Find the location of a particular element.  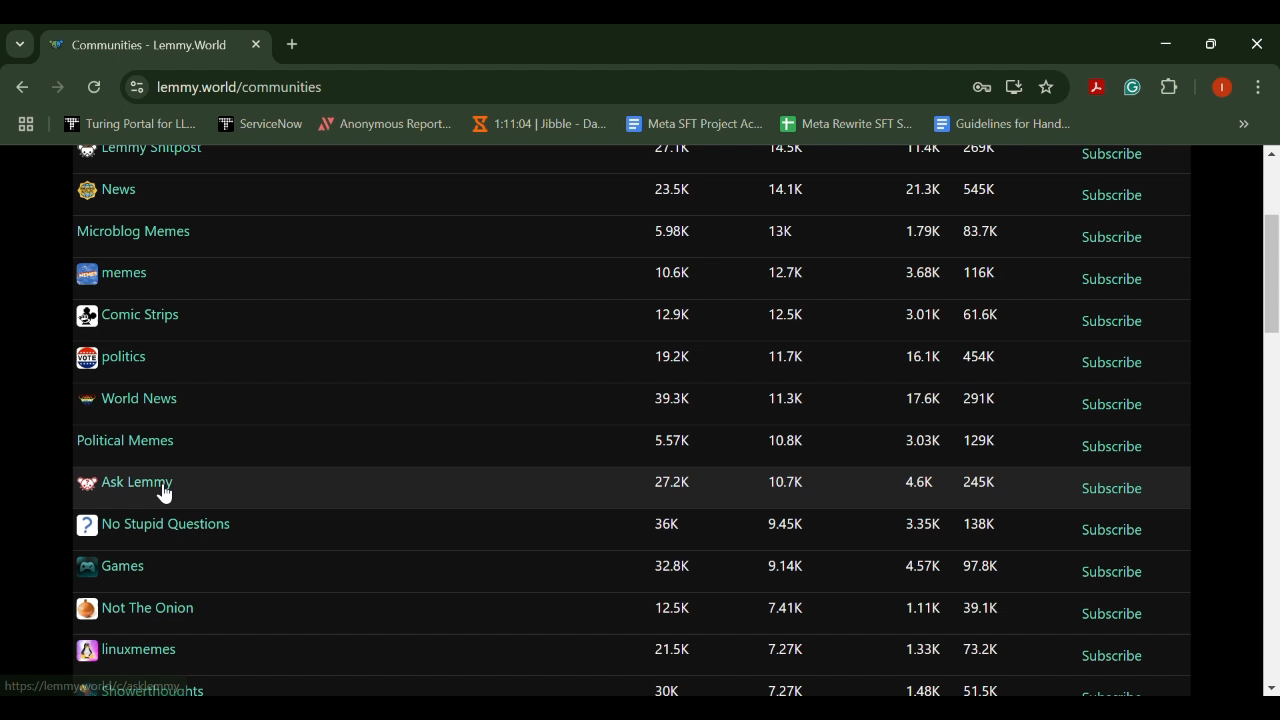

News is located at coordinates (108, 191).